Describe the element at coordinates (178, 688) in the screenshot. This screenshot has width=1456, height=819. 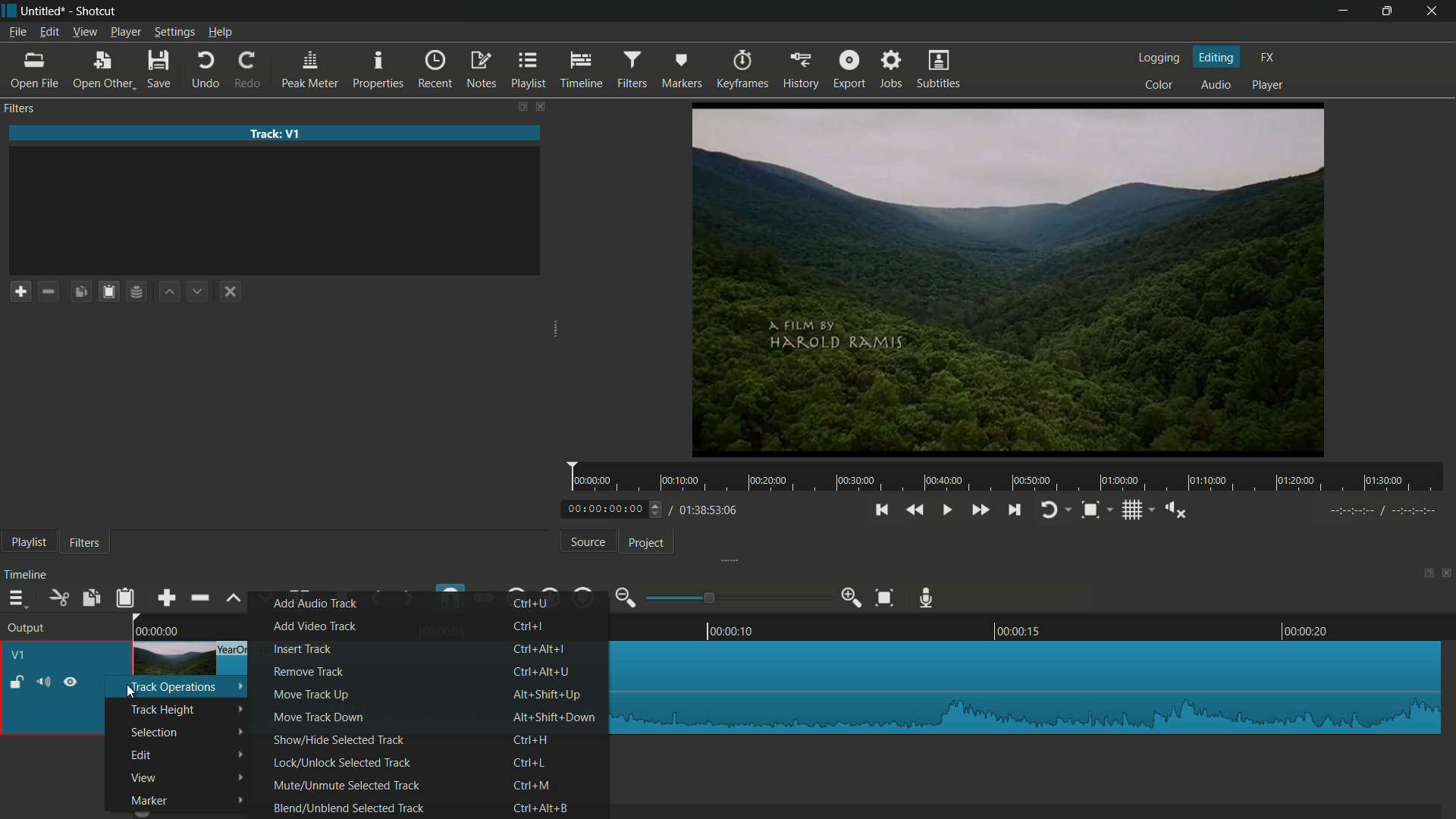
I see `track operation` at that location.